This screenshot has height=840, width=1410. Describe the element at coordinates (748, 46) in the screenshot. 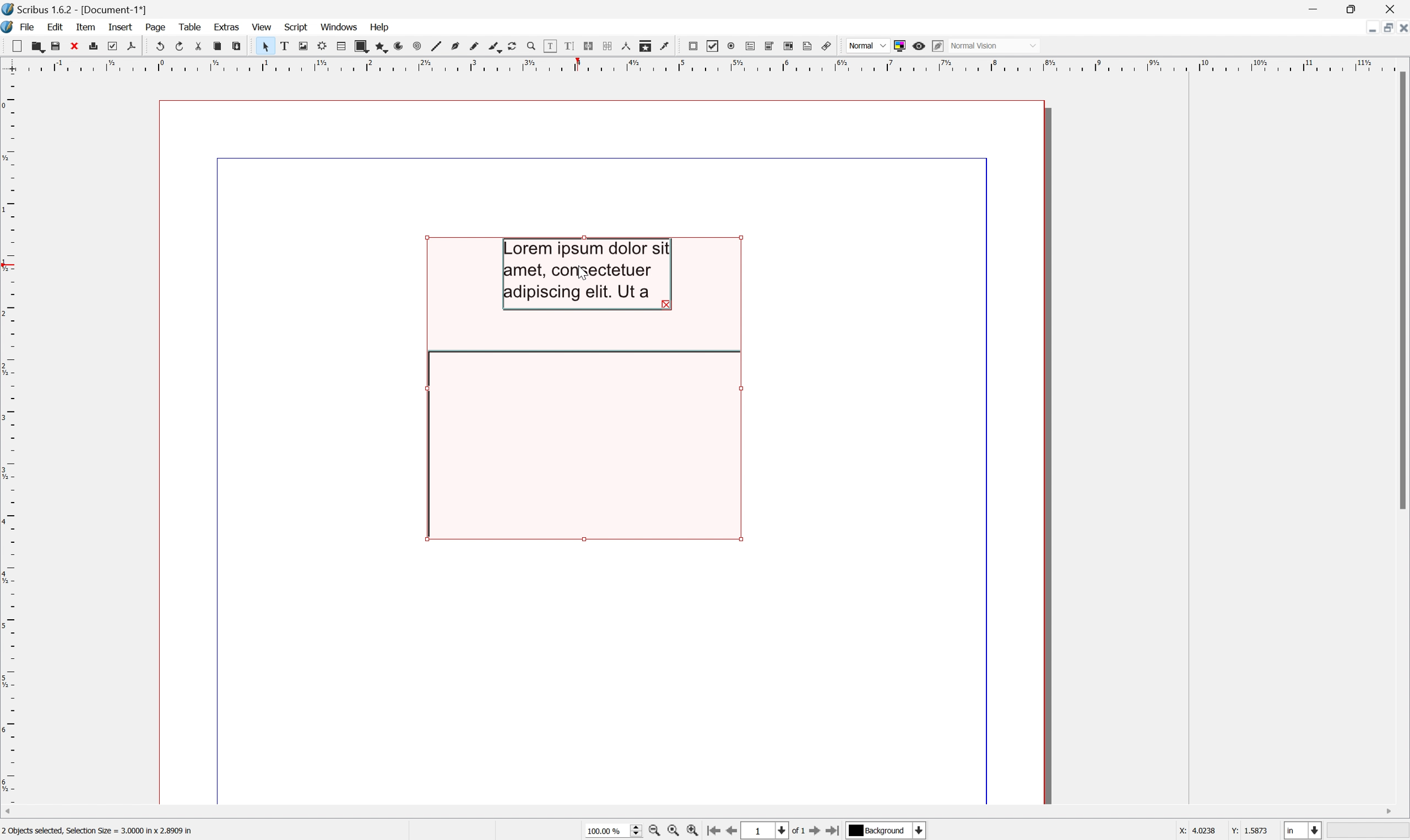

I see `PDF text field` at that location.